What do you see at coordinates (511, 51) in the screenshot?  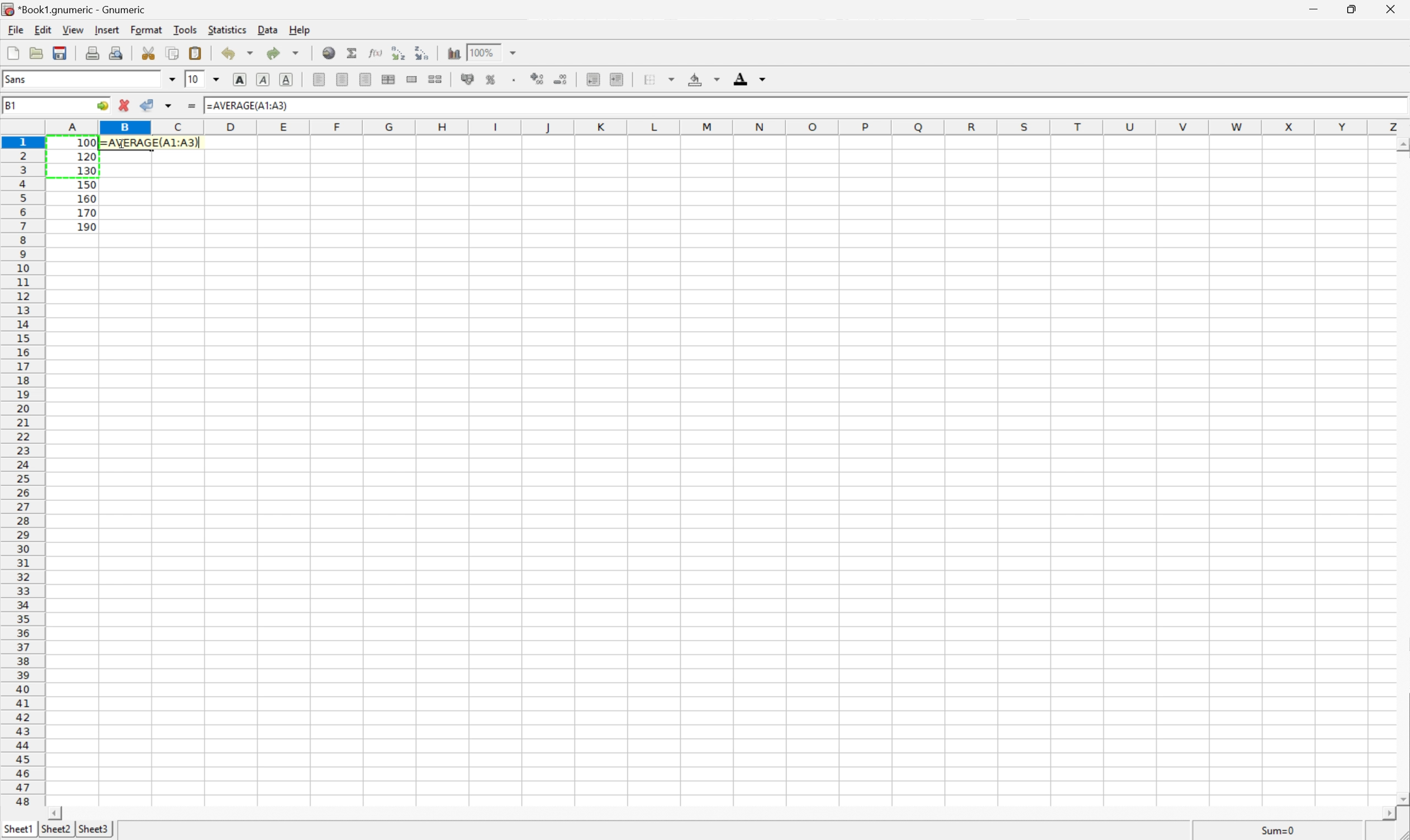 I see `Drop Down` at bounding box center [511, 51].